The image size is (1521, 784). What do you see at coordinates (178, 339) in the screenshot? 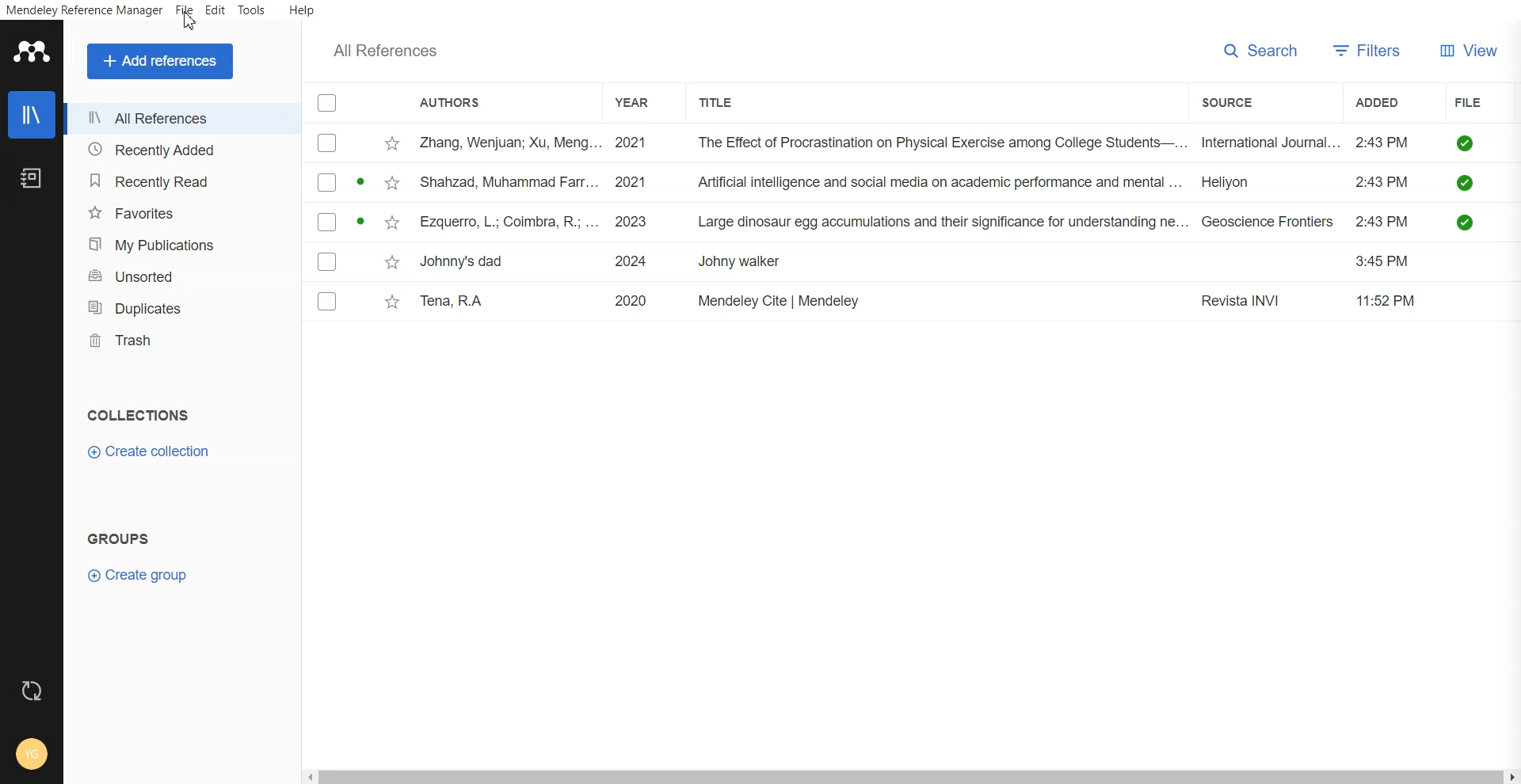
I see `Trash` at bounding box center [178, 339].